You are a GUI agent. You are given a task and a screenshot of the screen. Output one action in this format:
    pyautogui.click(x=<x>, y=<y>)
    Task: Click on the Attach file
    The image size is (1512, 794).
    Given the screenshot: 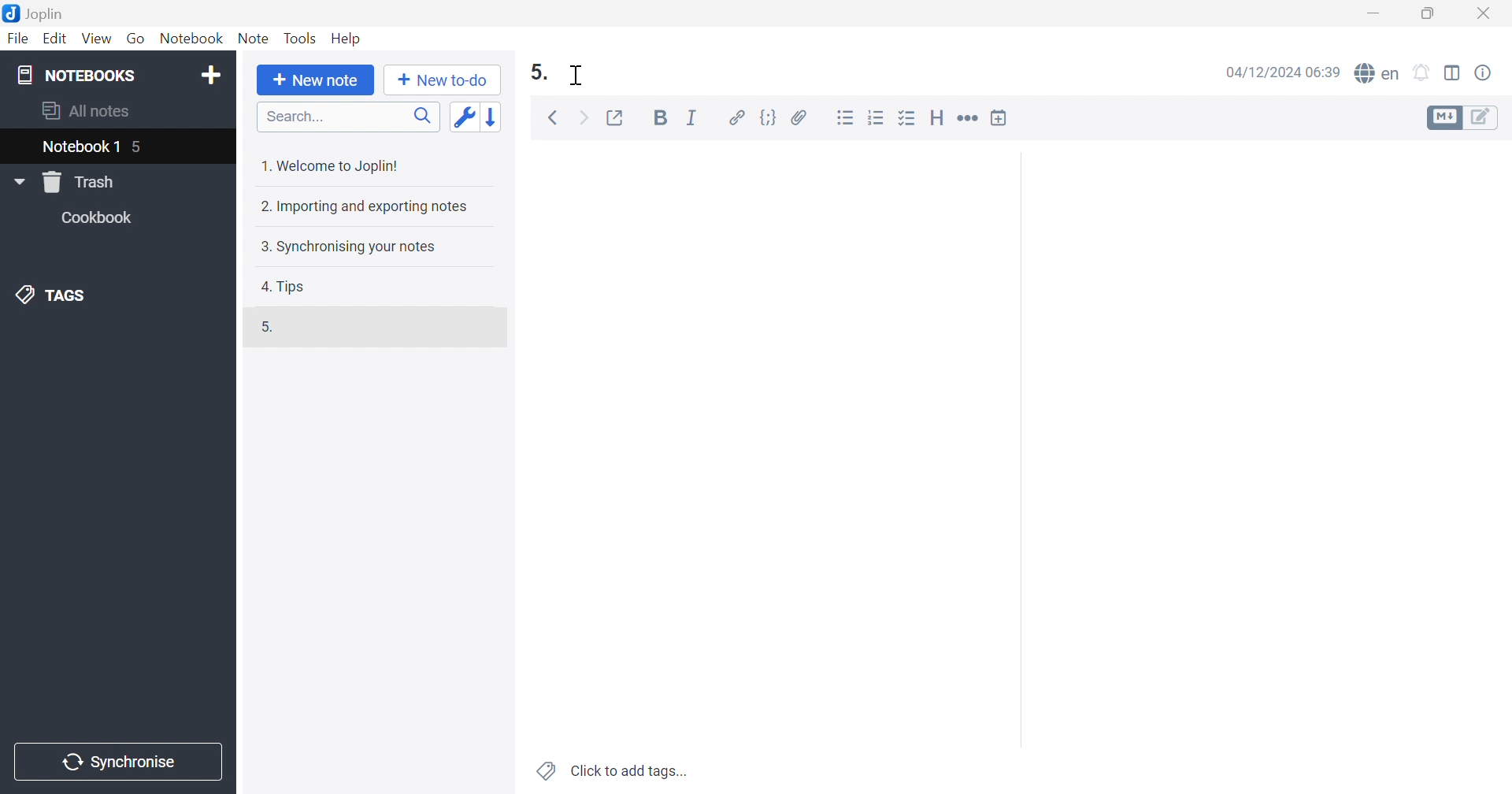 What is the action you would take?
    pyautogui.click(x=799, y=117)
    